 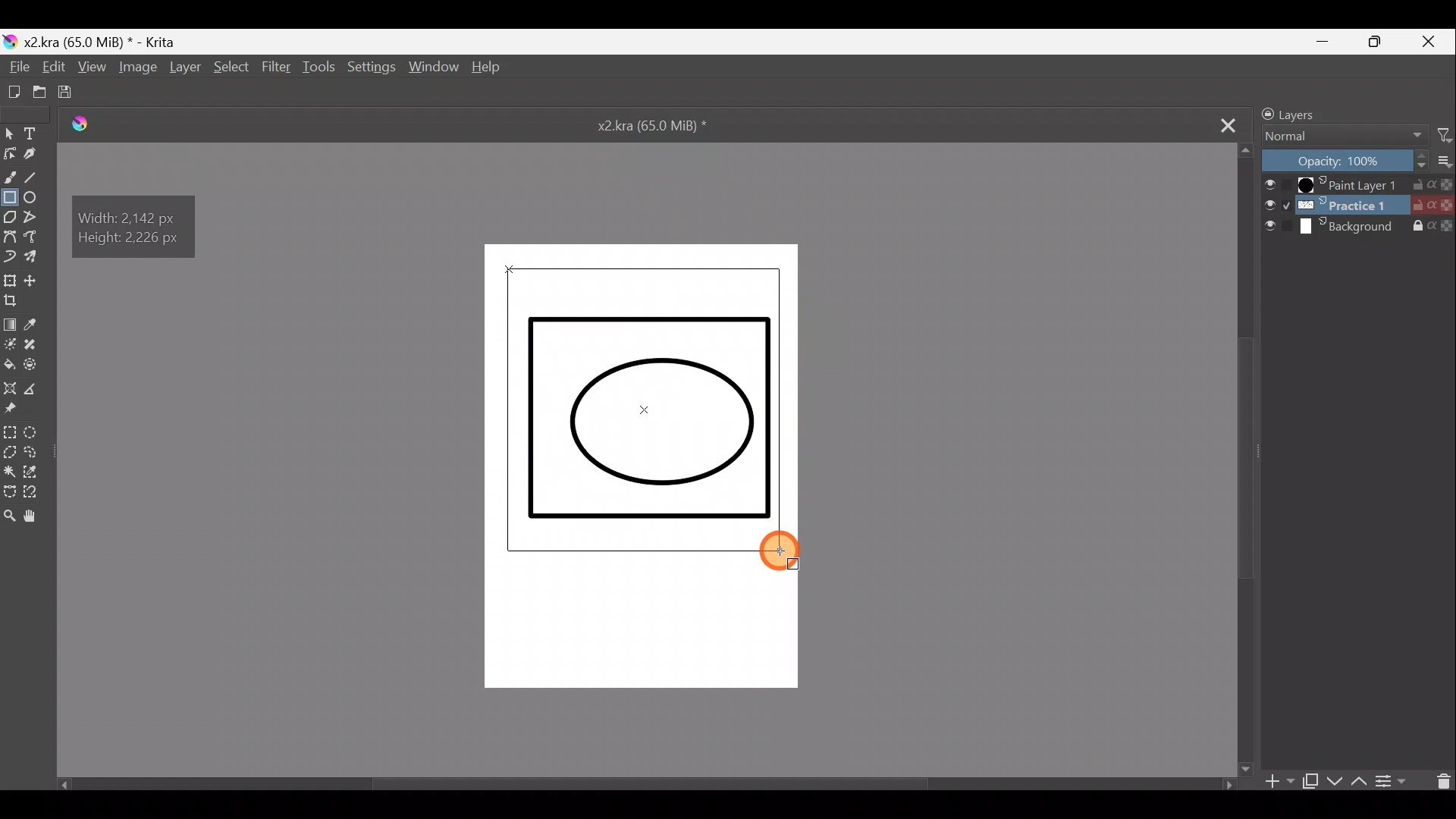 I want to click on Magnetic curve tool, so click(x=39, y=238).